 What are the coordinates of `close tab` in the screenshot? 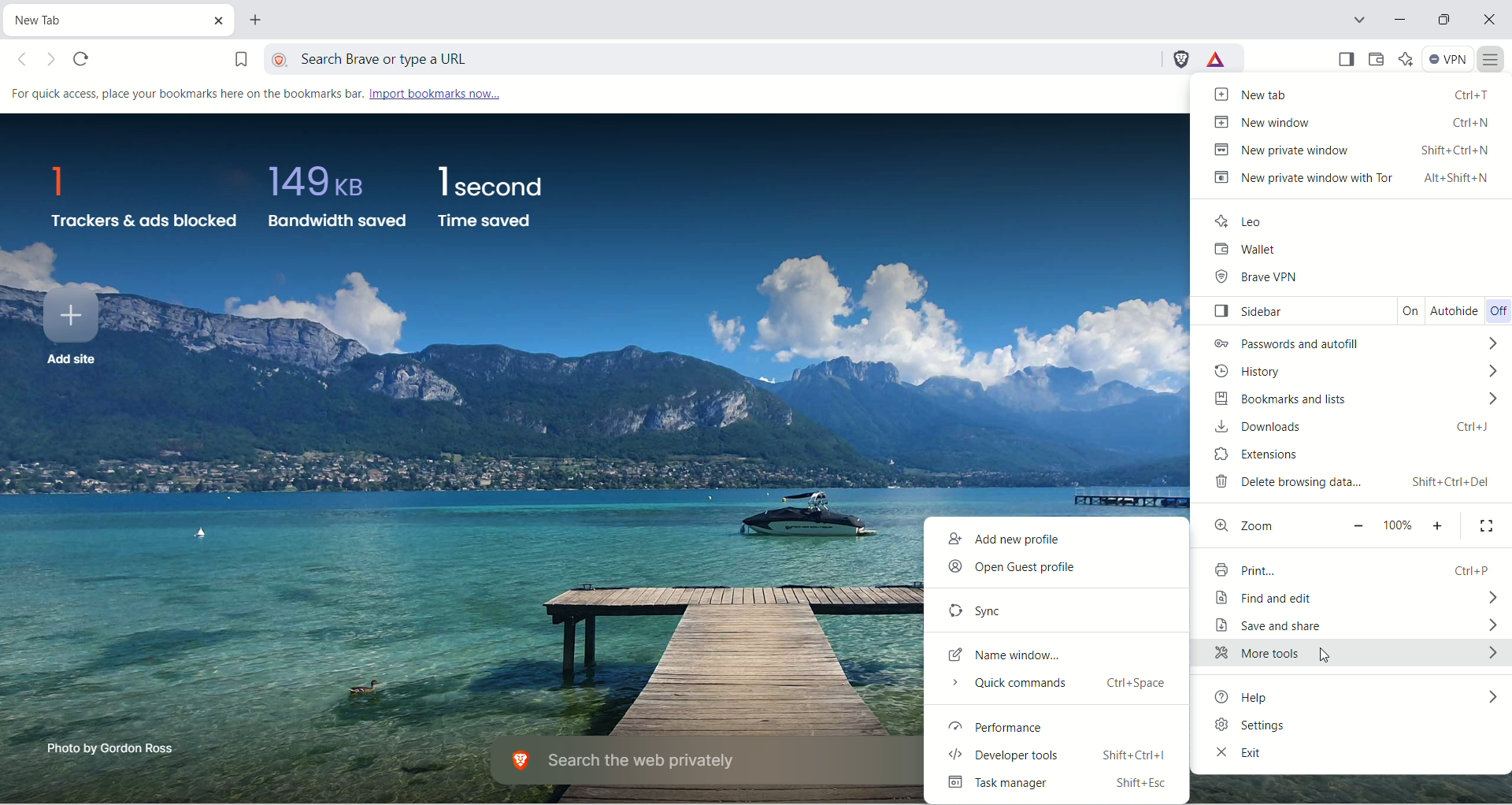 It's located at (214, 18).